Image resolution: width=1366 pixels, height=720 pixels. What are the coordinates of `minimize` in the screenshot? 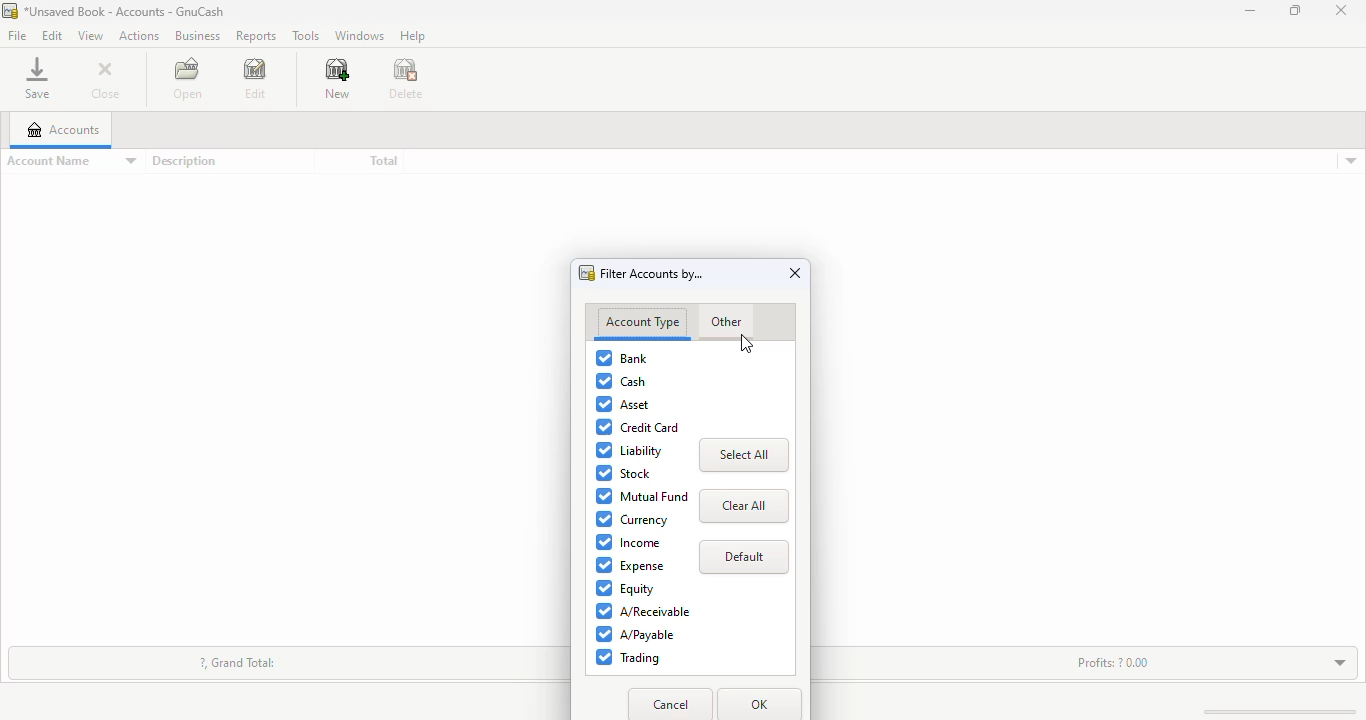 It's located at (1250, 10).